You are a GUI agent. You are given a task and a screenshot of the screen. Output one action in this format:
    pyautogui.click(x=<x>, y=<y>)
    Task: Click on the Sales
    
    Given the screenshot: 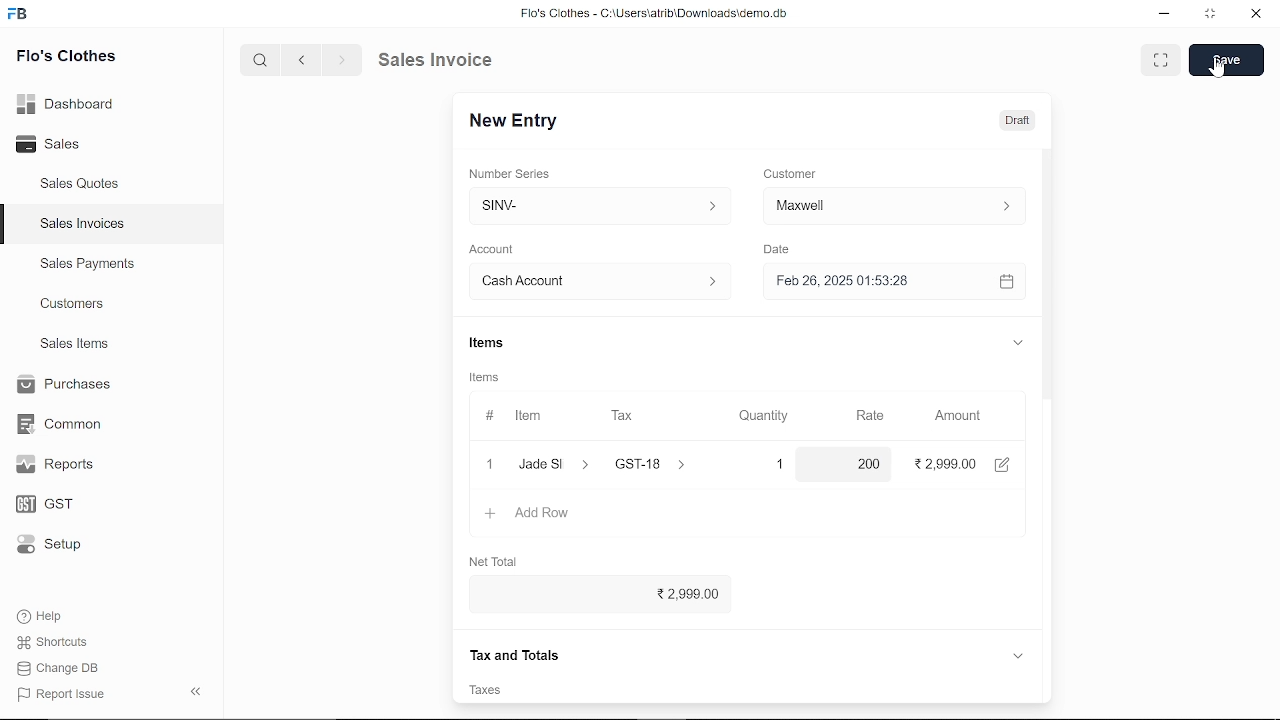 What is the action you would take?
    pyautogui.click(x=70, y=145)
    